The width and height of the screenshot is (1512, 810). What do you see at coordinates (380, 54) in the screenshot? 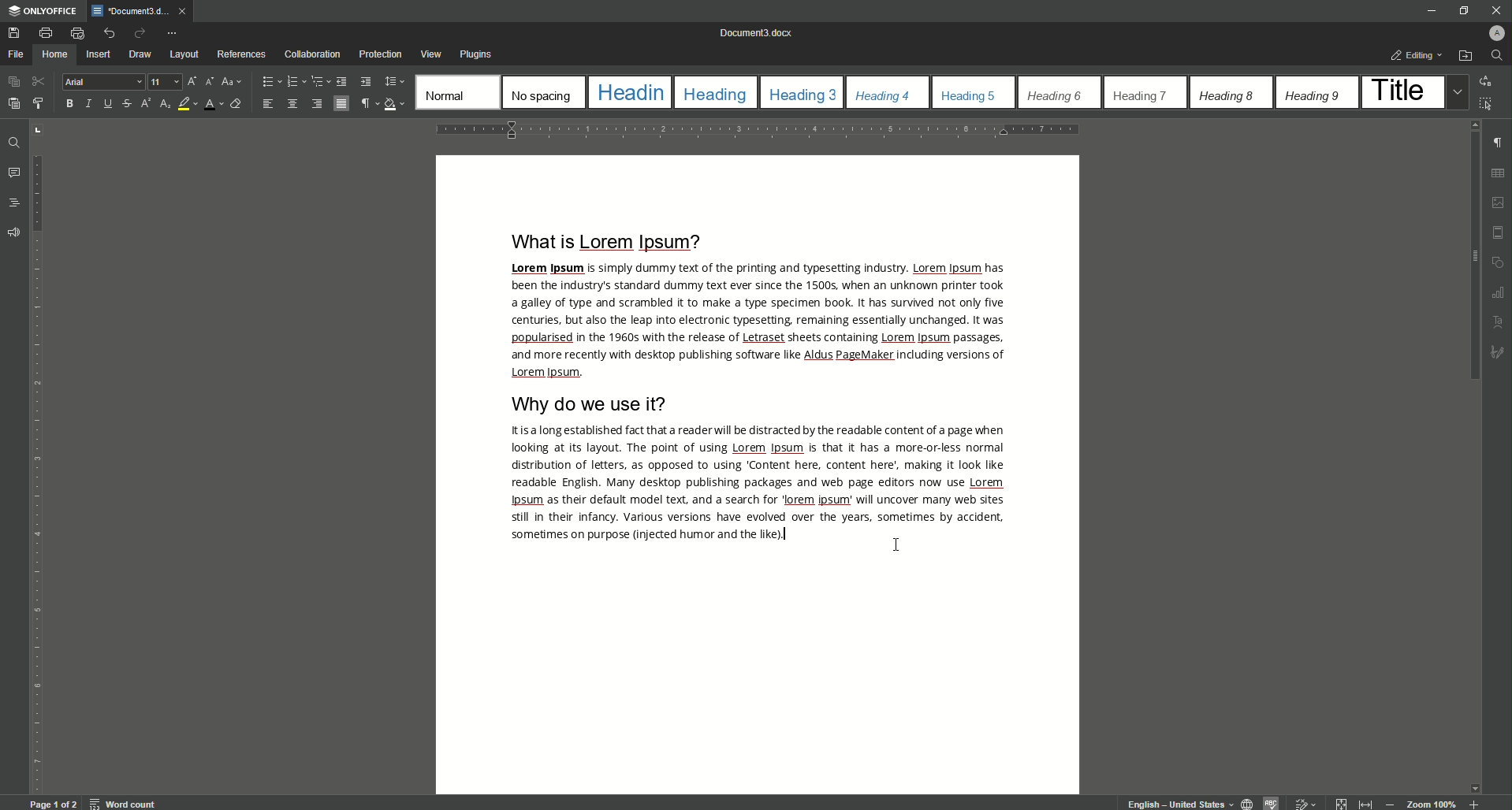
I see `Protection` at bounding box center [380, 54].